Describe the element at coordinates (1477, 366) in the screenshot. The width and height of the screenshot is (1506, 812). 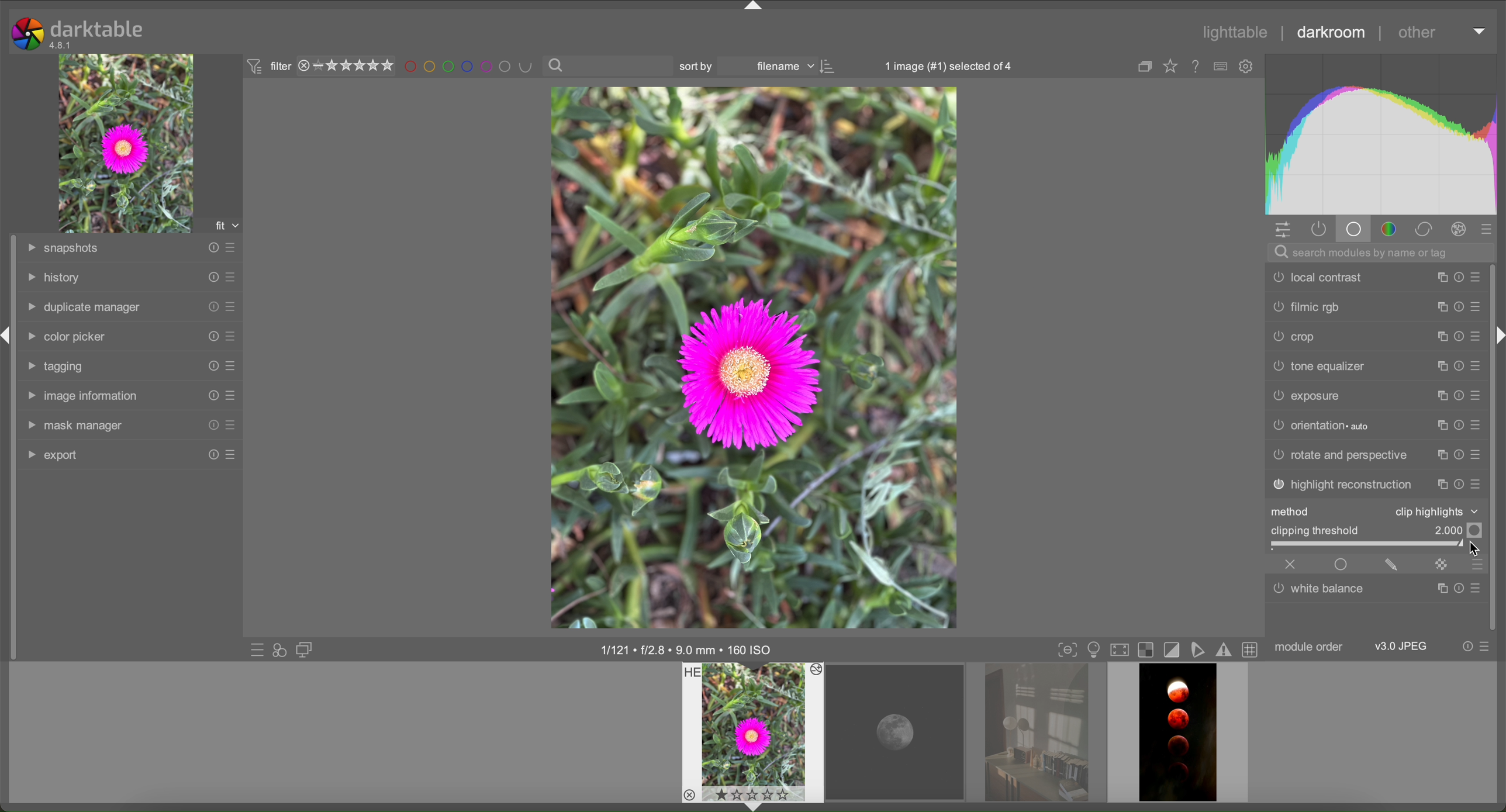
I see `presets` at that location.